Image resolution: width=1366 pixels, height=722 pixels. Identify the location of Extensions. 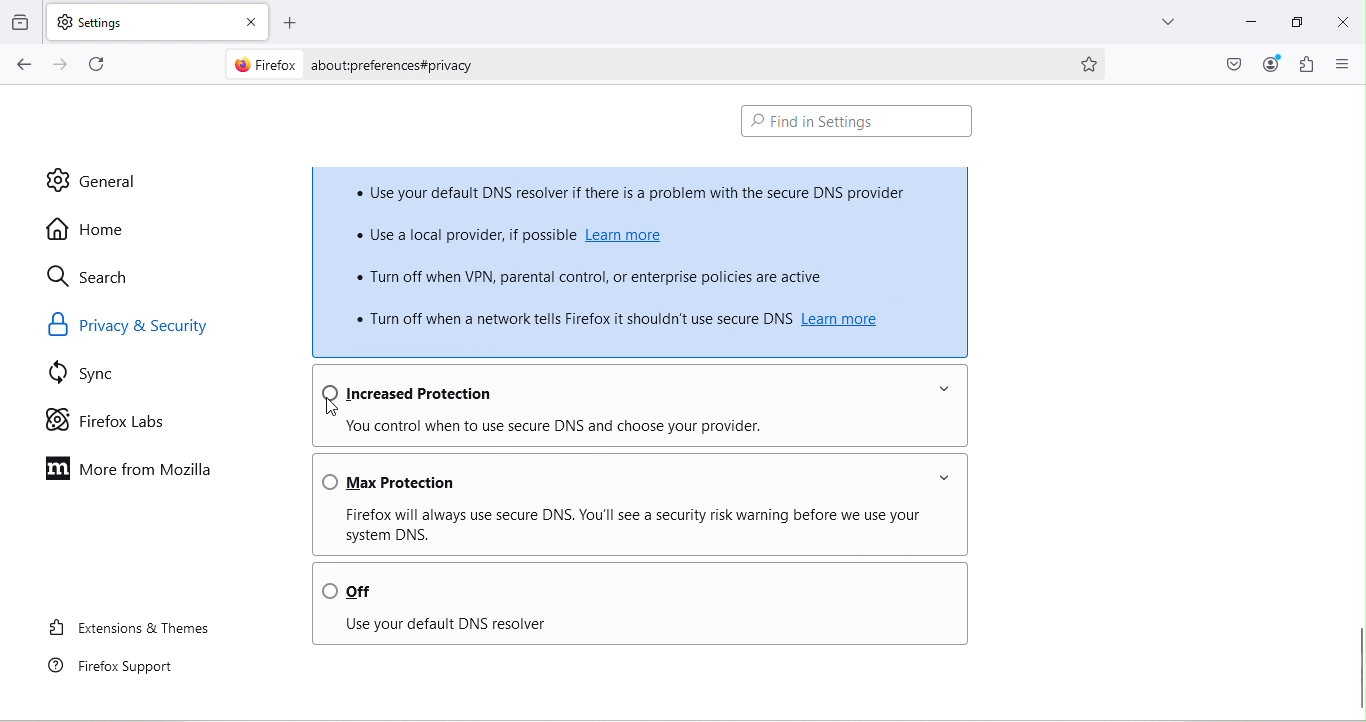
(1306, 64).